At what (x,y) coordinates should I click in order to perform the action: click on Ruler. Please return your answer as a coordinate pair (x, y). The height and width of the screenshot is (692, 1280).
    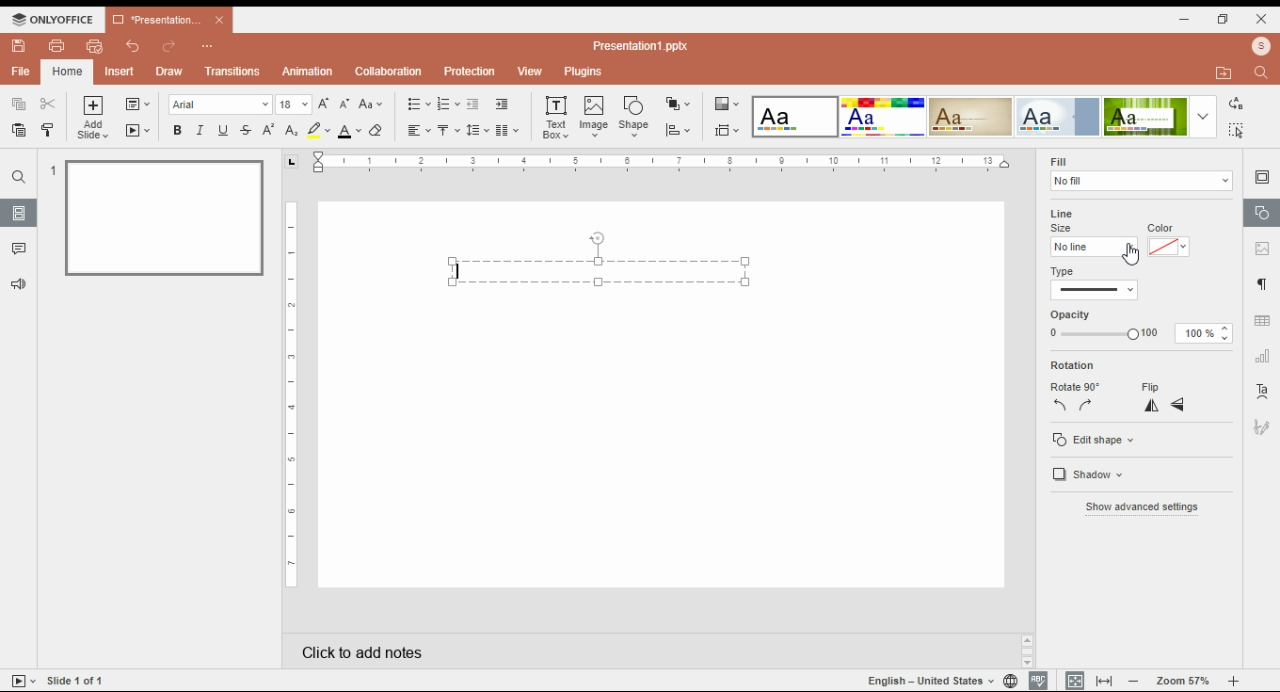
    Looking at the image, I should click on (291, 394).